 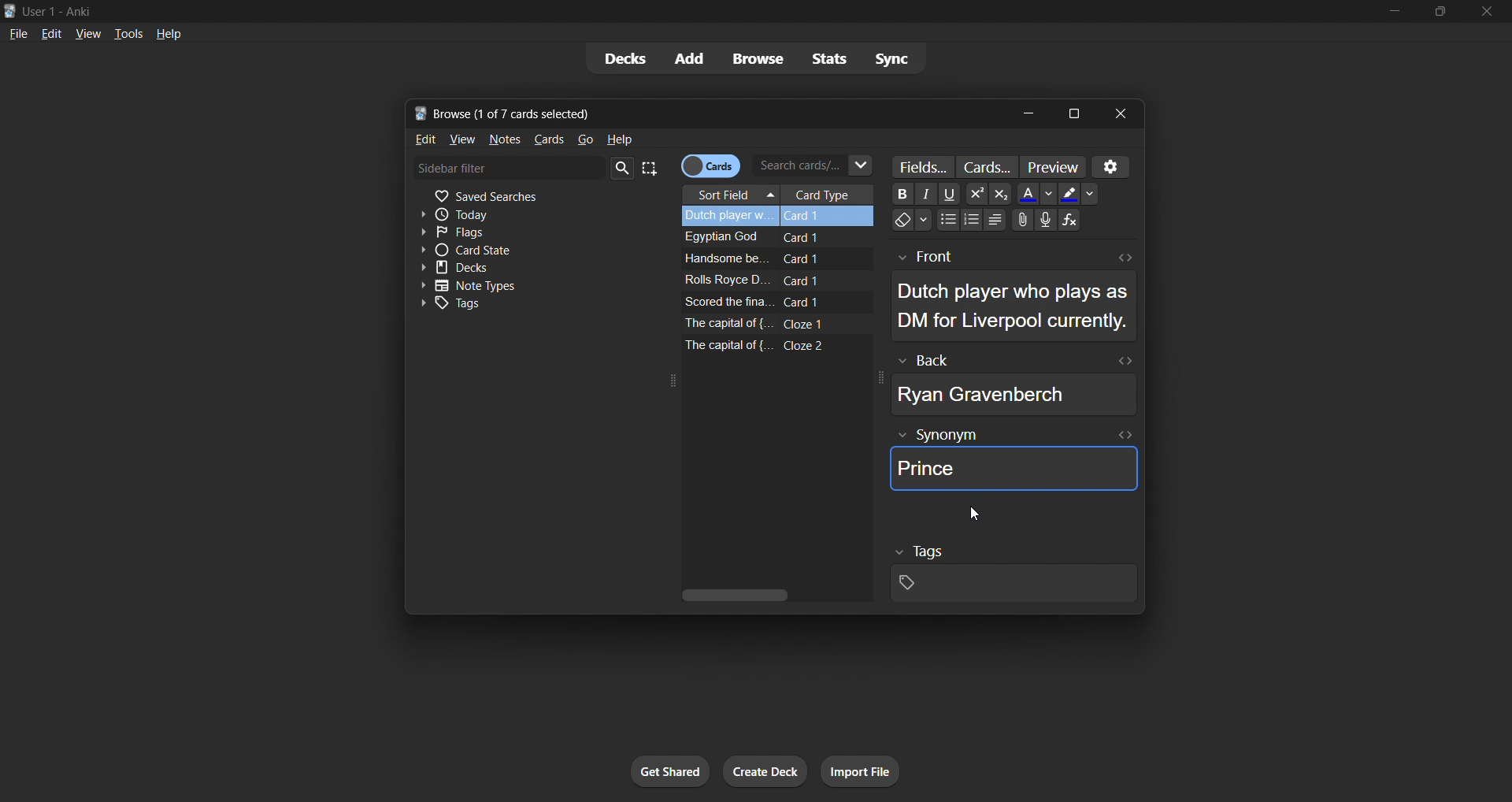 I want to click on Fill color, so click(x=1067, y=194).